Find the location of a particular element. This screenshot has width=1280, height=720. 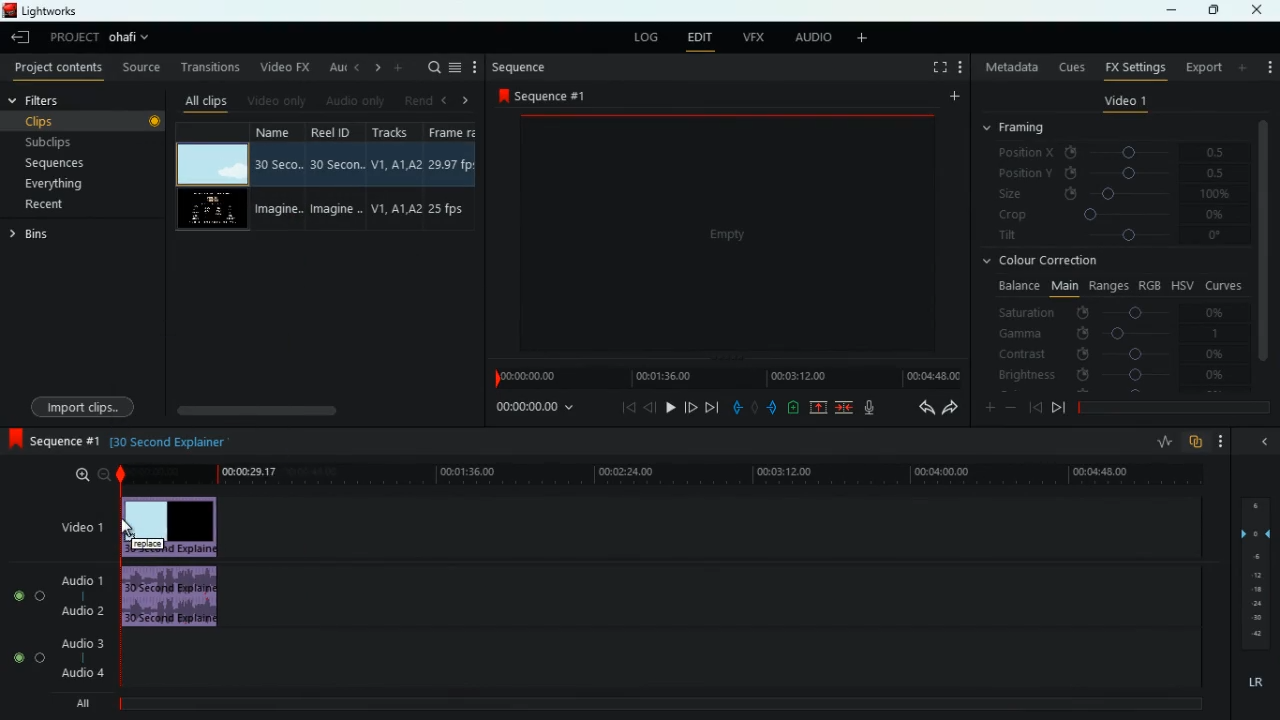

menu is located at coordinates (457, 66).